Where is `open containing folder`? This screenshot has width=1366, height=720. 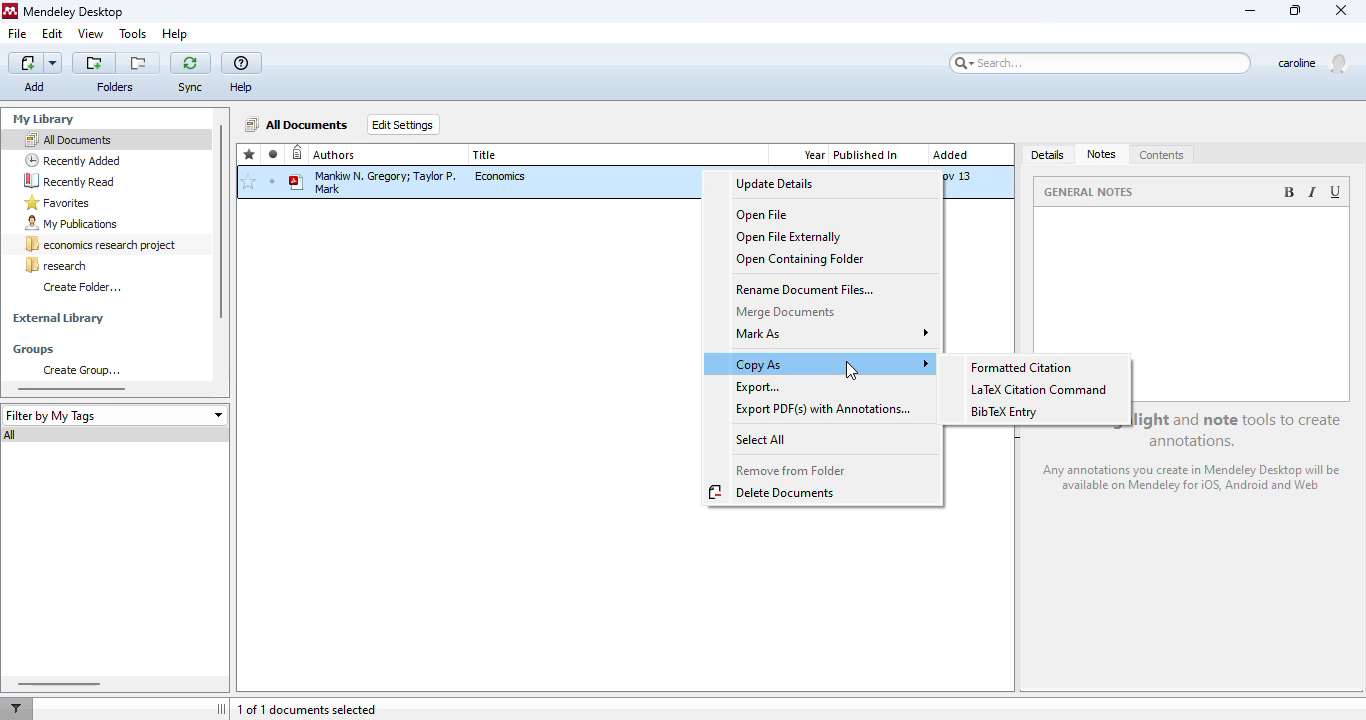 open containing folder is located at coordinates (802, 259).